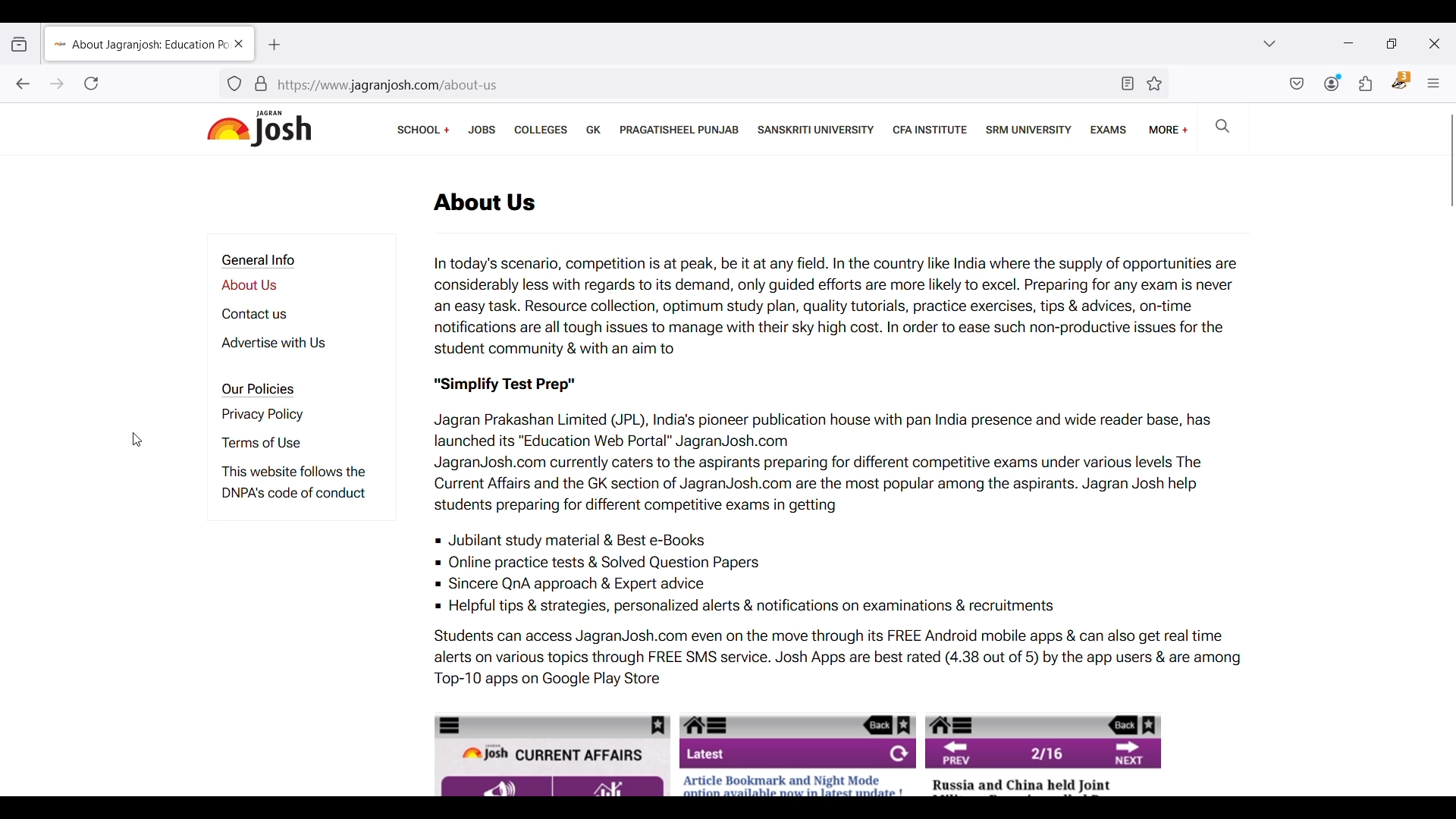 Image resolution: width=1456 pixels, height=819 pixels. I want to click on Jagran Prakashan Limited (JPL), India’s pioneer publication house with pan India presence and wide reader base, has
launched its “Education Web Portal” JagranJosh.com

JagranJosh.com currently caters to the aspirants preparing for different competitive exams under various levels The
Current Affairs and the GK section of JagranJosh.com are the most popular among the aspirants. Jagran Josh help
students preparing for different competitive exams in getting, so click(830, 463).